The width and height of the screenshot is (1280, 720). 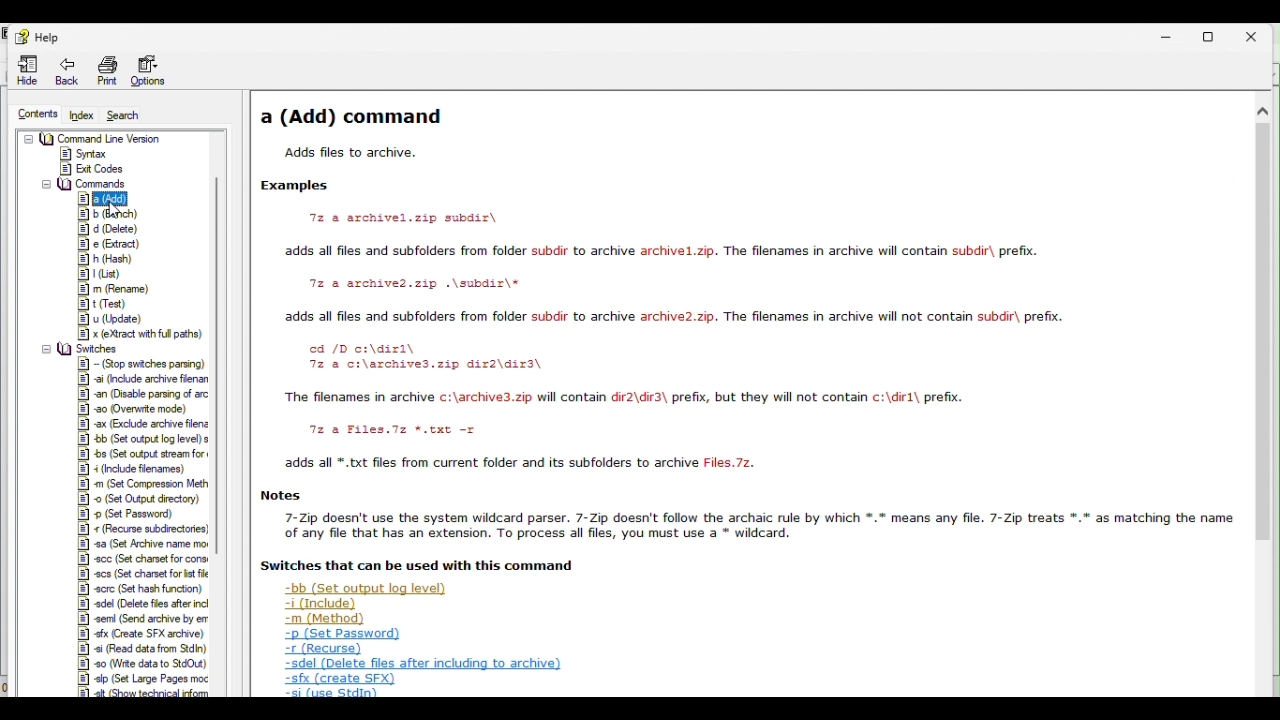 I want to click on -scs, so click(x=143, y=574).